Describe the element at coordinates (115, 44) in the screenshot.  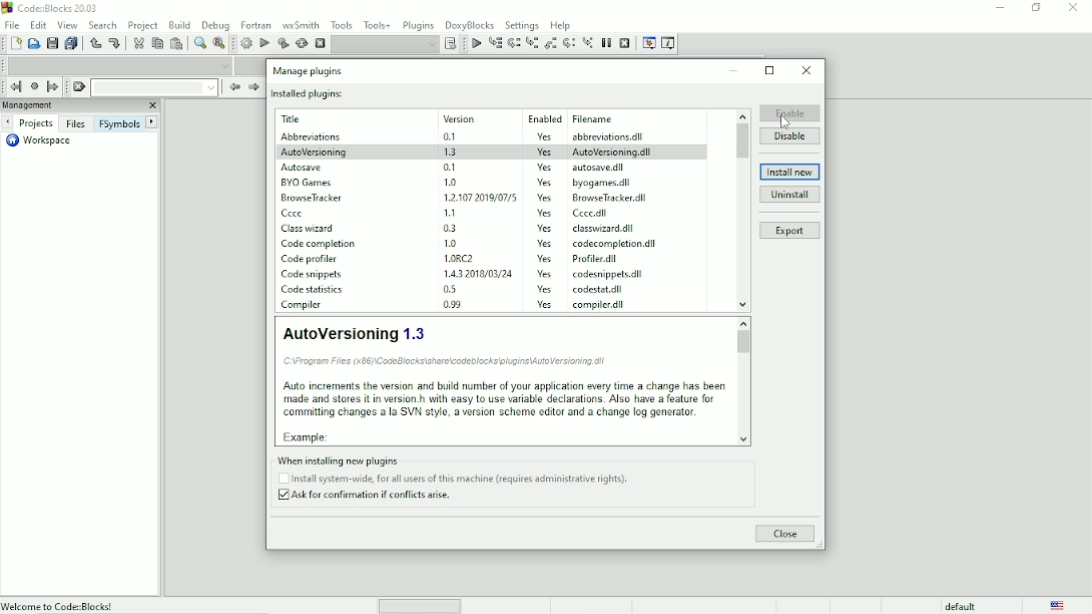
I see `Redo` at that location.